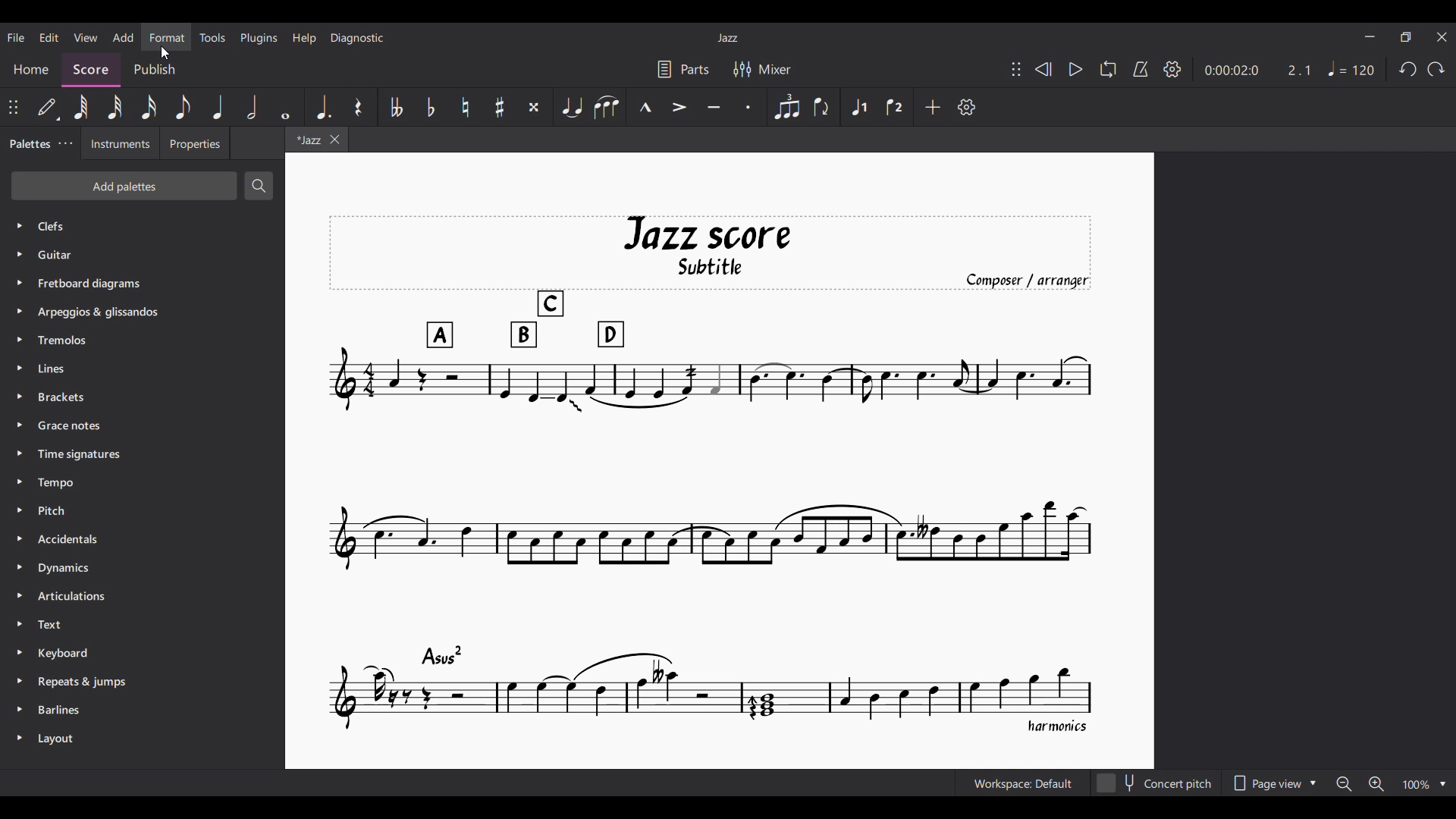 The image size is (1456, 819). Describe the element at coordinates (1076, 70) in the screenshot. I see `Play` at that location.